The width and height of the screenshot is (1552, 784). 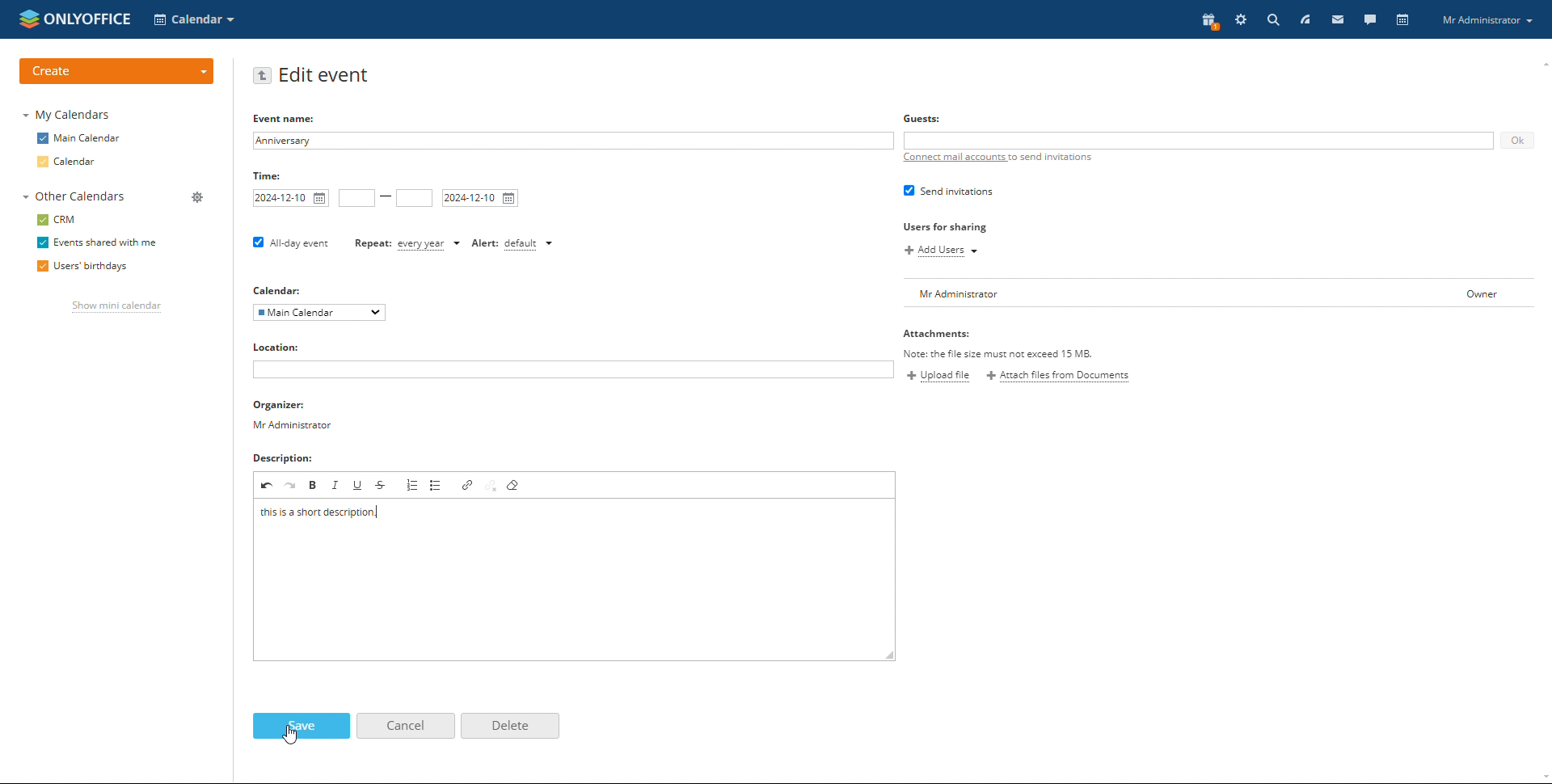 I want to click on manage, so click(x=196, y=197).